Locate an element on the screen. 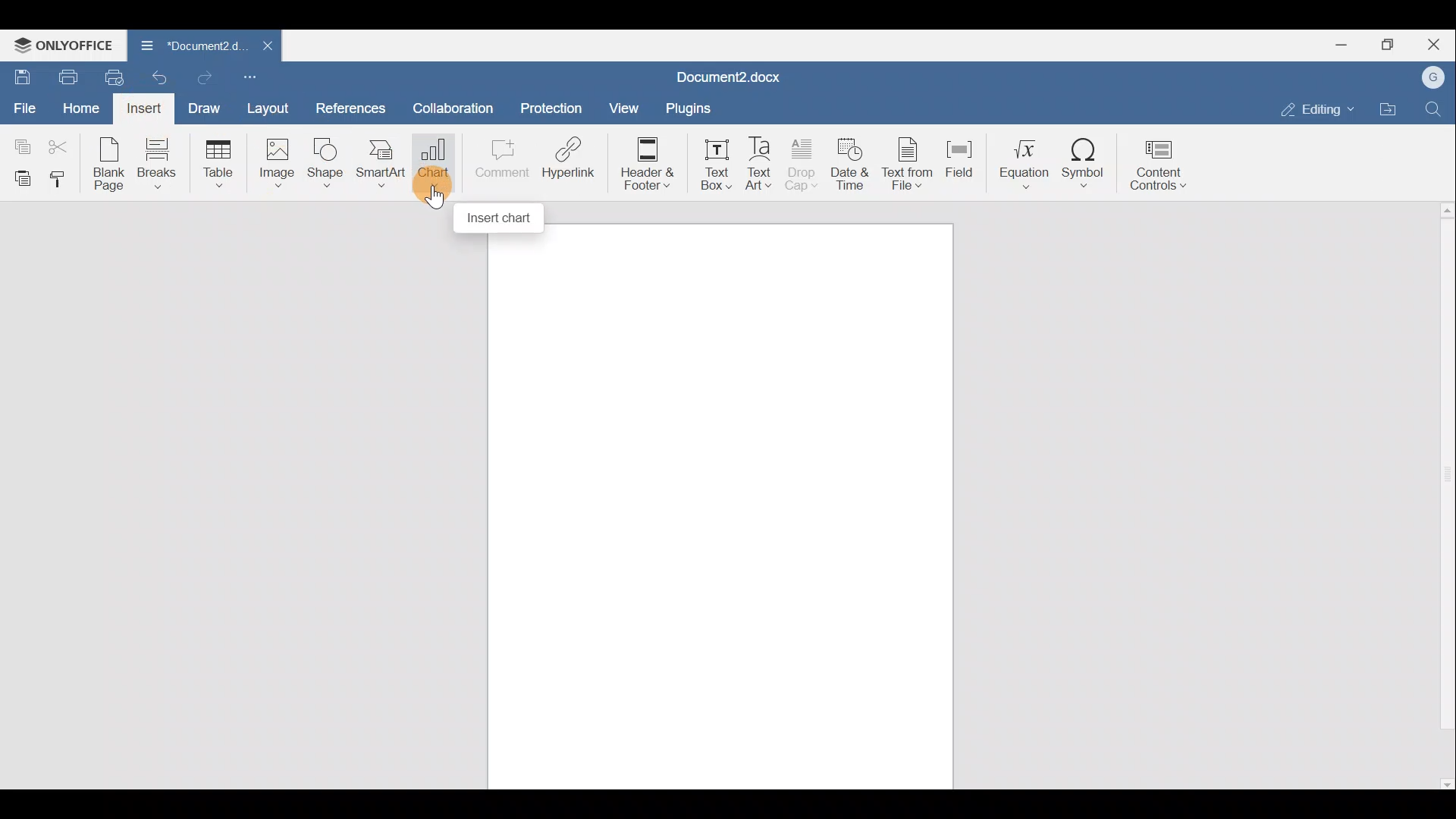 This screenshot has width=1456, height=819. Open file location is located at coordinates (1388, 109).